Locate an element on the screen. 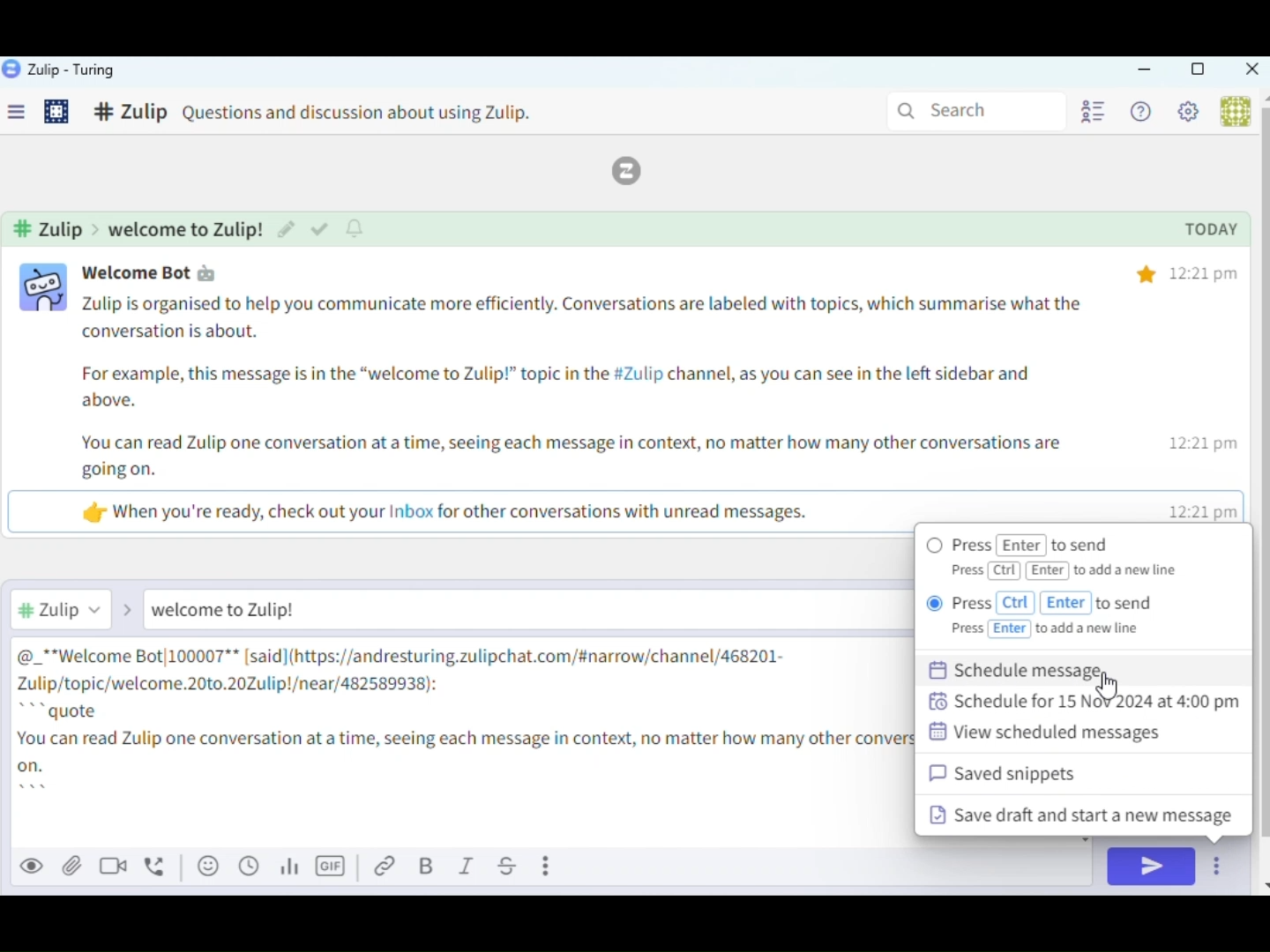 The width and height of the screenshot is (1270, 952). View is located at coordinates (34, 865).